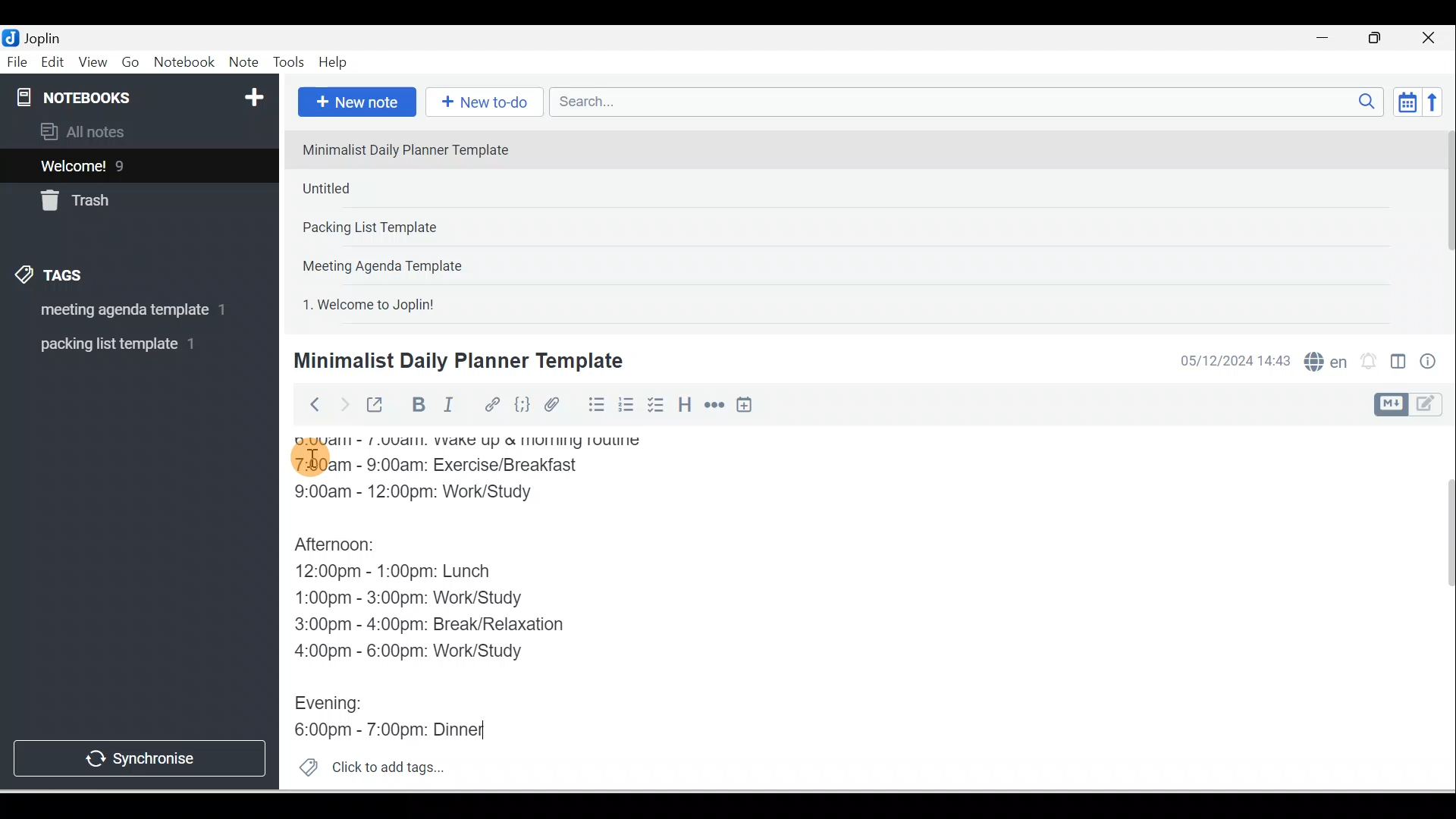 The width and height of the screenshot is (1456, 819). What do you see at coordinates (184, 63) in the screenshot?
I see `Notebook` at bounding box center [184, 63].